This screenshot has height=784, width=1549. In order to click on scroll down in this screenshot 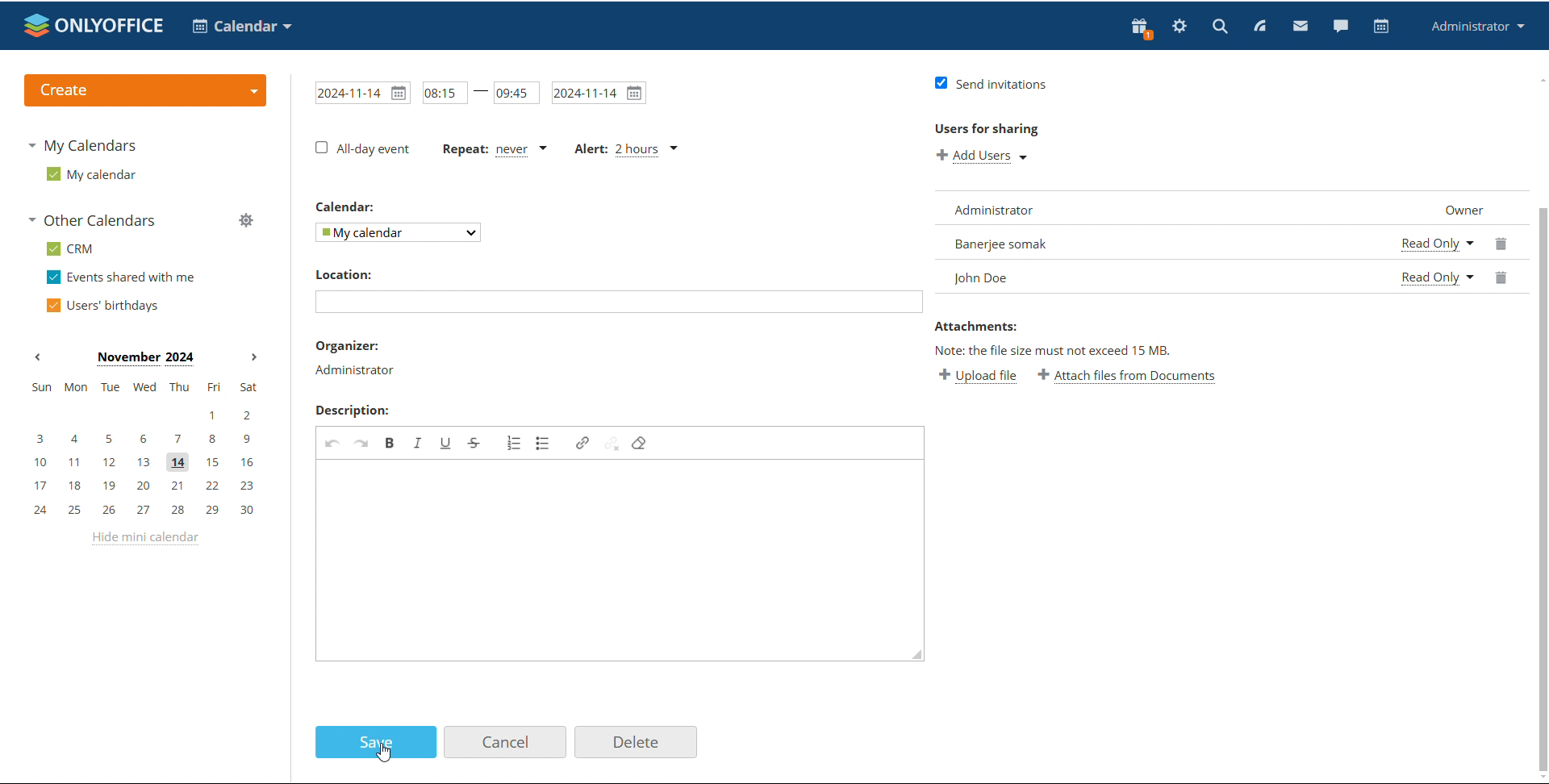, I will do `click(1539, 775)`.